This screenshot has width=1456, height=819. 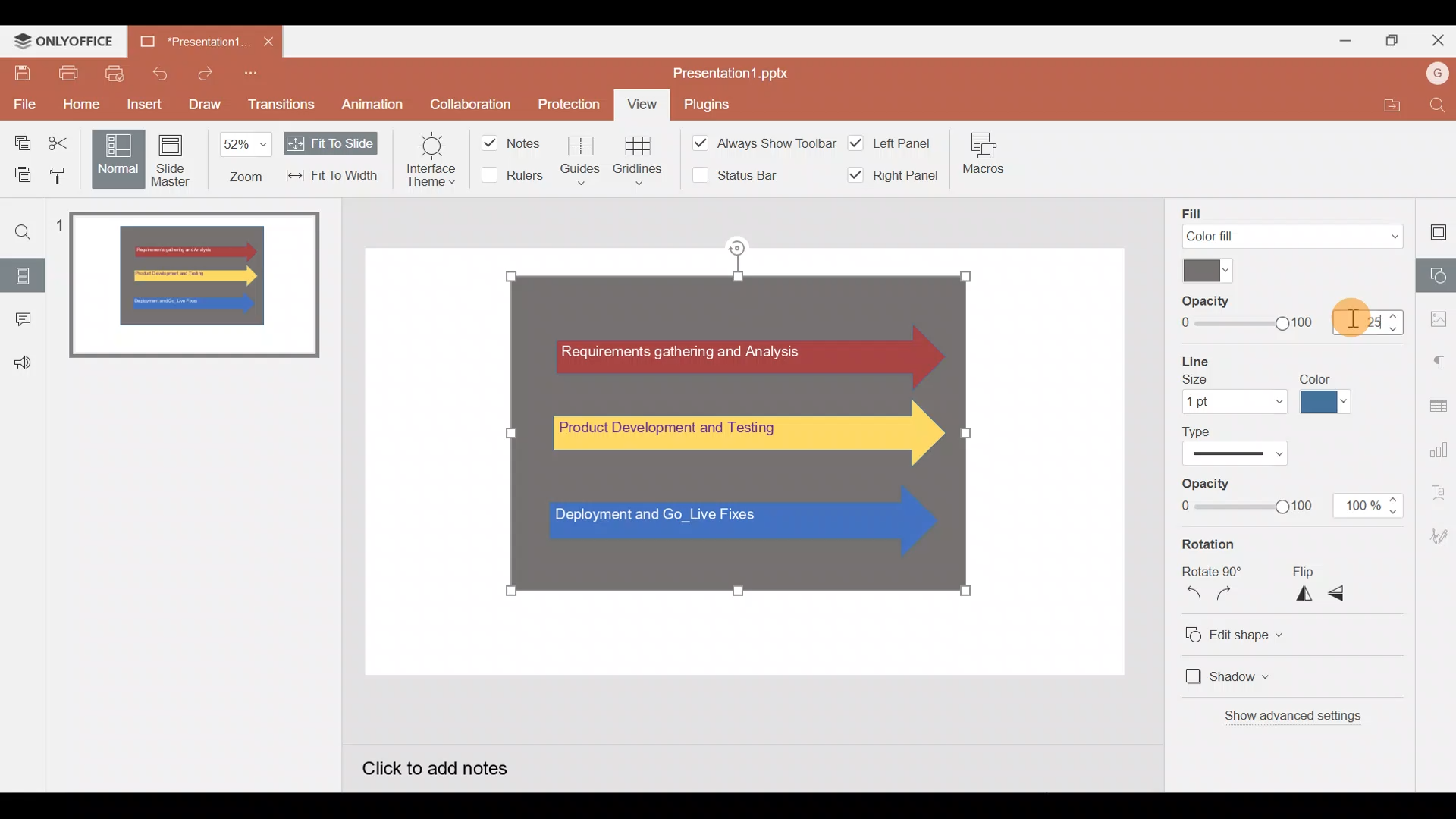 I want to click on File, so click(x=23, y=102).